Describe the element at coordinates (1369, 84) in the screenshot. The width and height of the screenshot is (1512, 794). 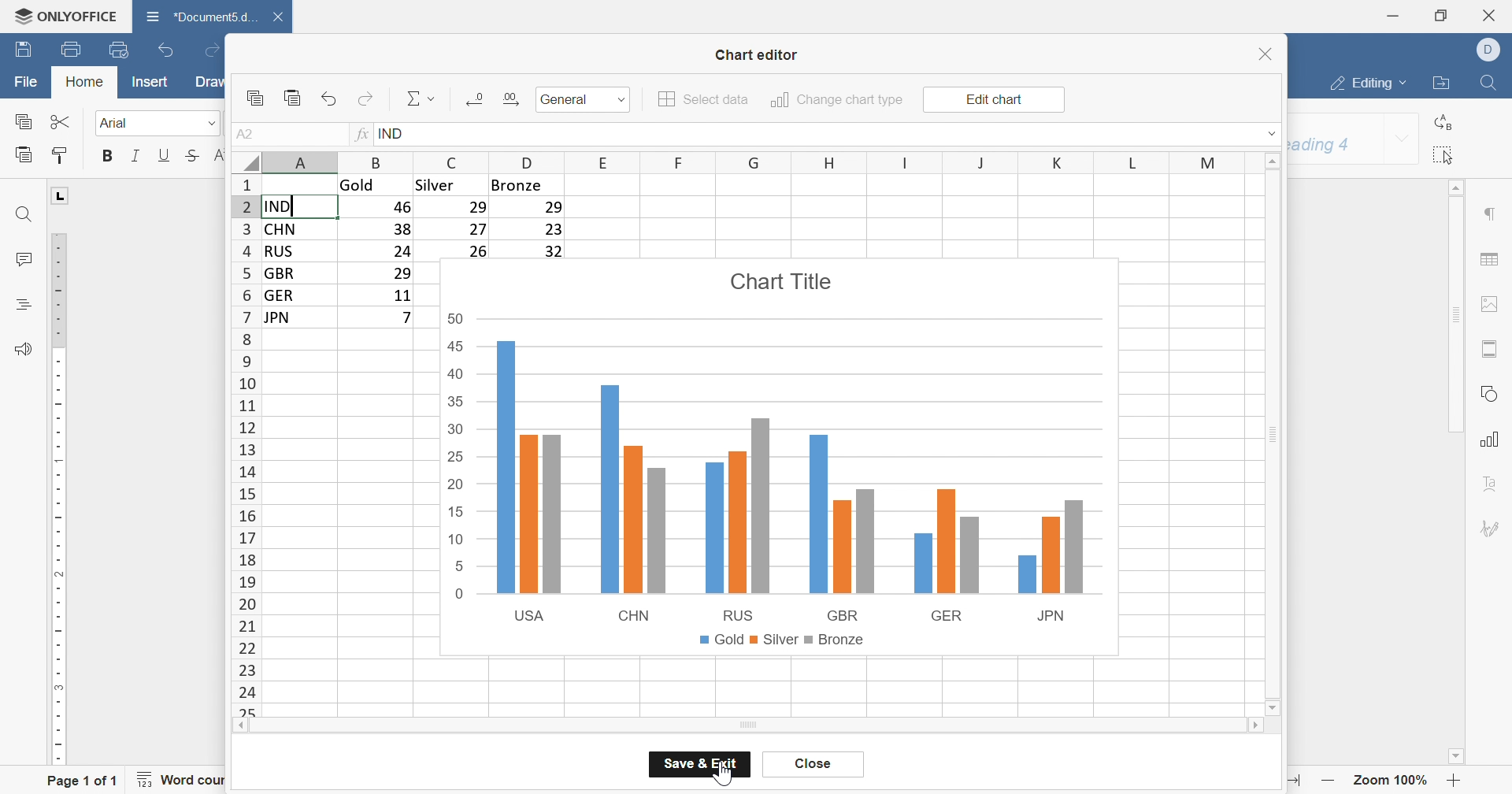
I see `editing` at that location.